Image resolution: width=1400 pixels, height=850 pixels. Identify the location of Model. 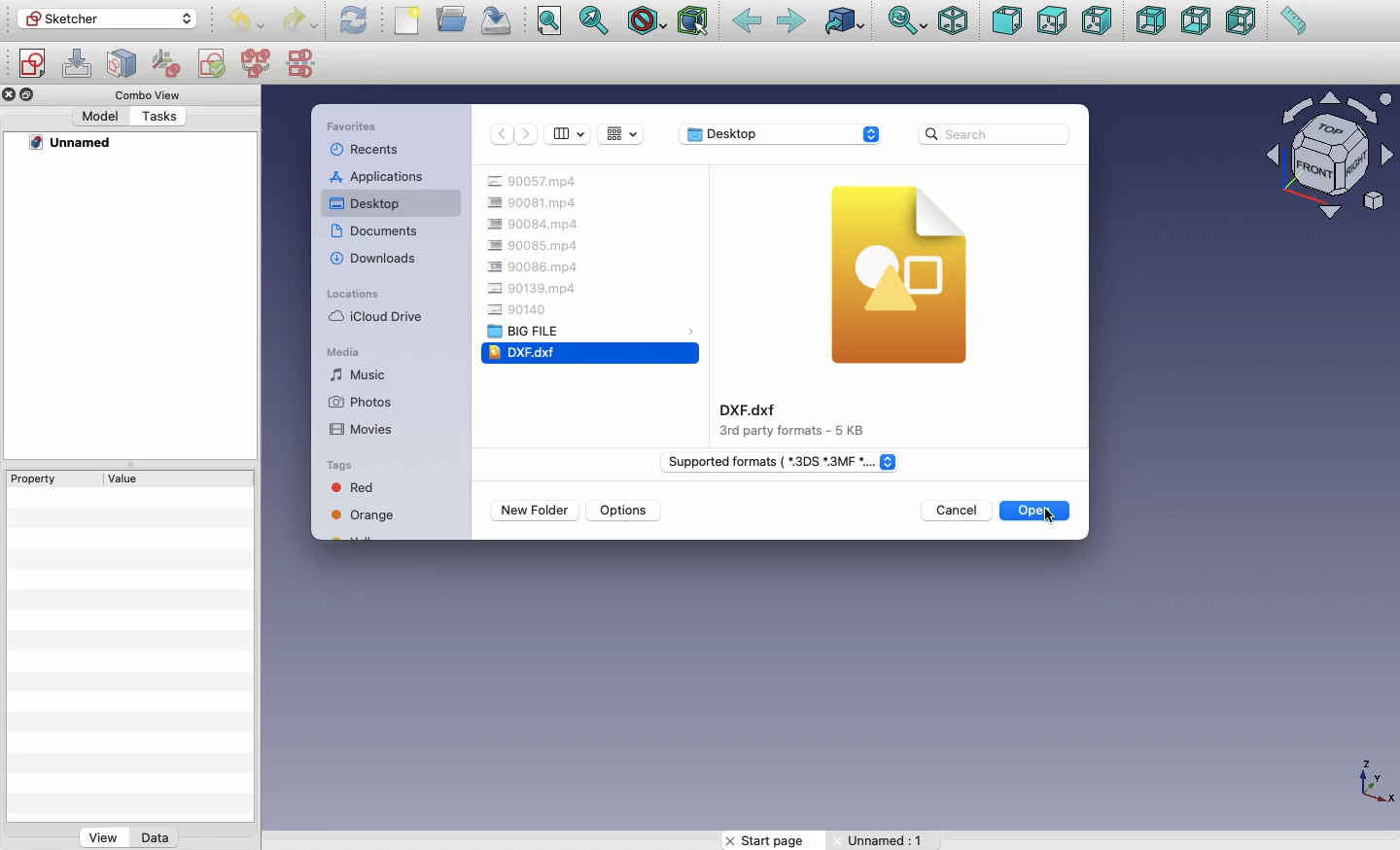
(101, 118).